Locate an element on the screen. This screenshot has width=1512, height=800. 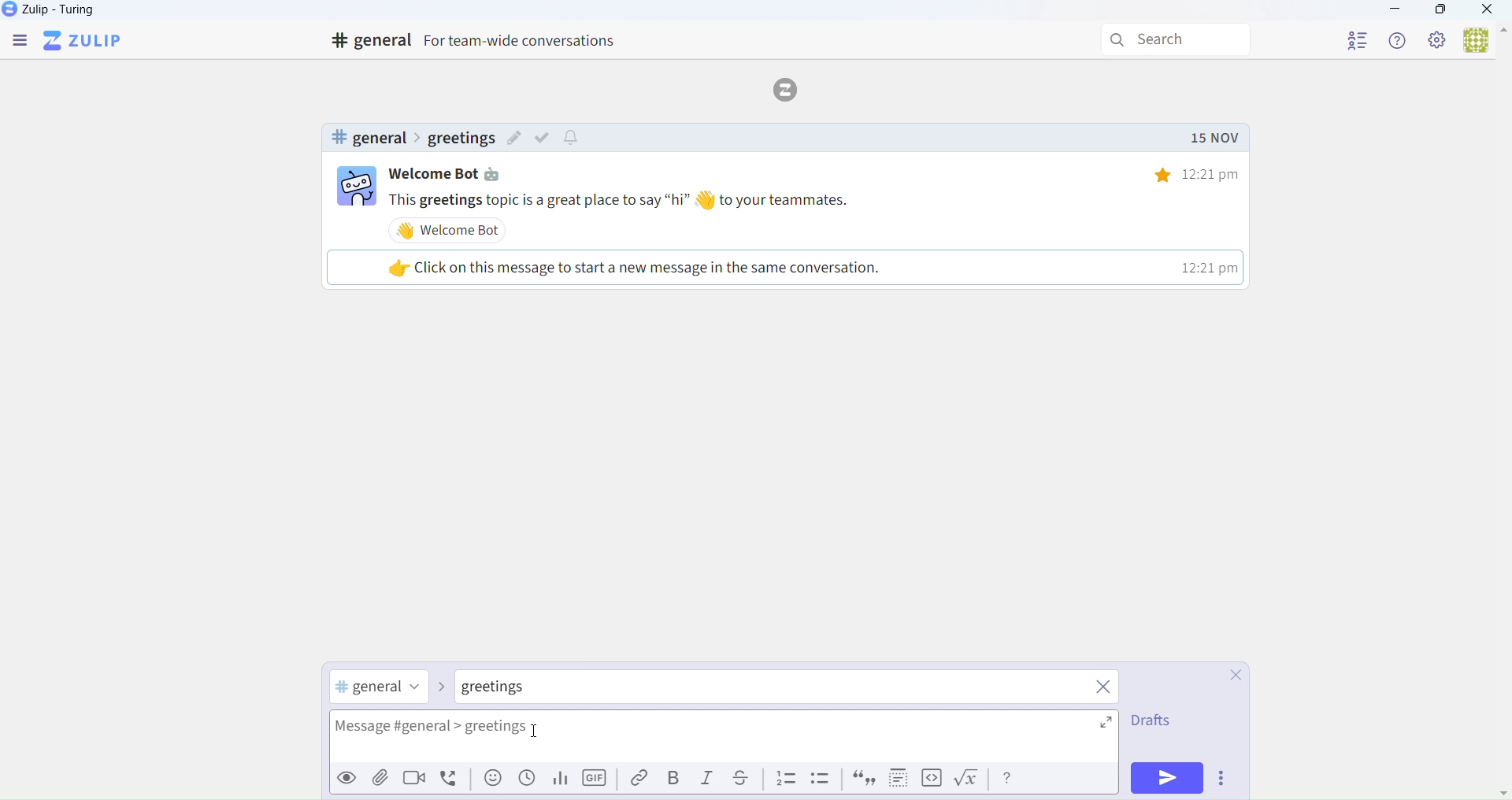
Channel is located at coordinates (380, 688).